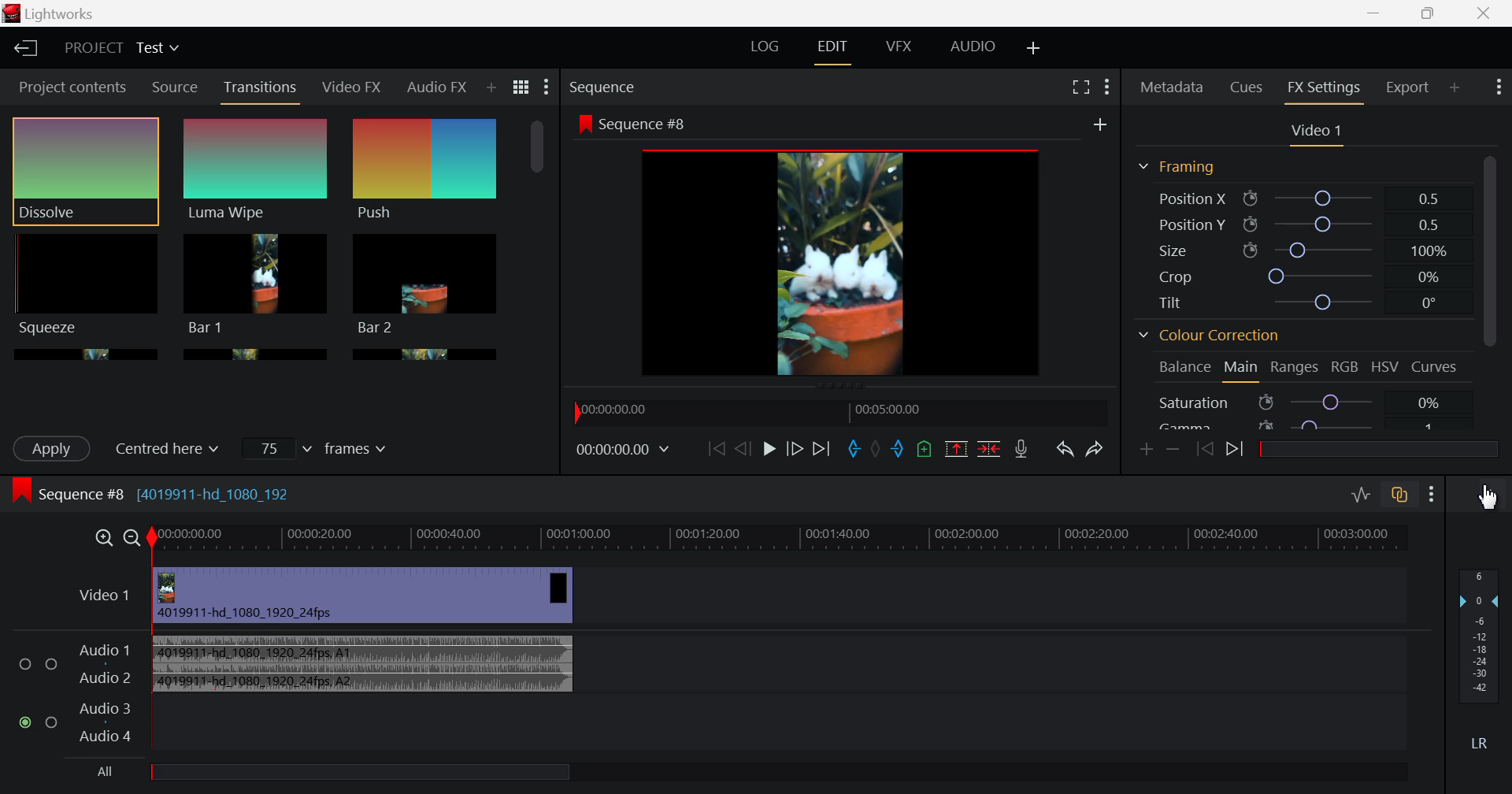 The height and width of the screenshot is (794, 1512). I want to click on Full Screen, so click(1080, 87).